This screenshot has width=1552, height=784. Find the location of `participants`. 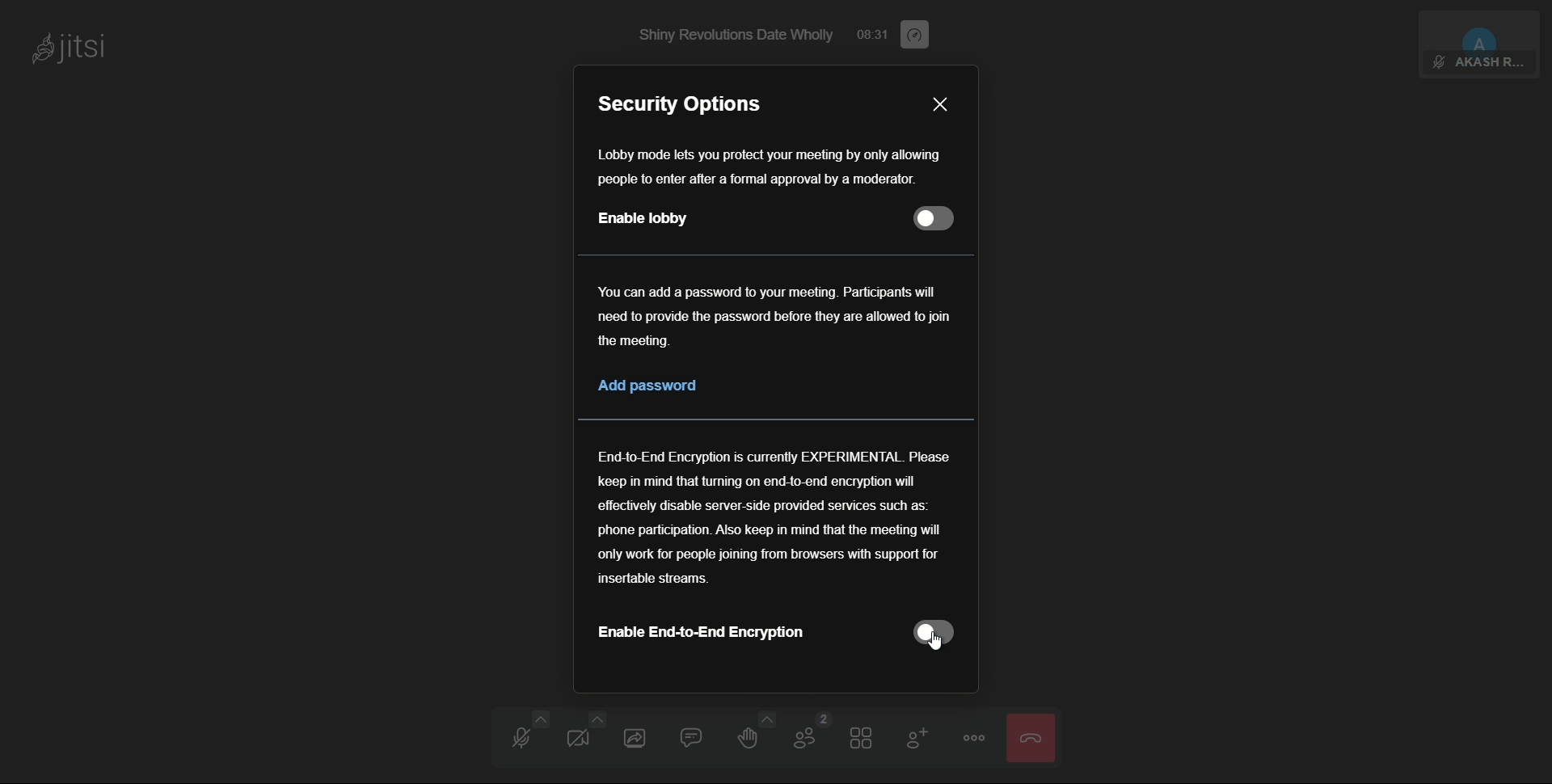

participants is located at coordinates (808, 735).